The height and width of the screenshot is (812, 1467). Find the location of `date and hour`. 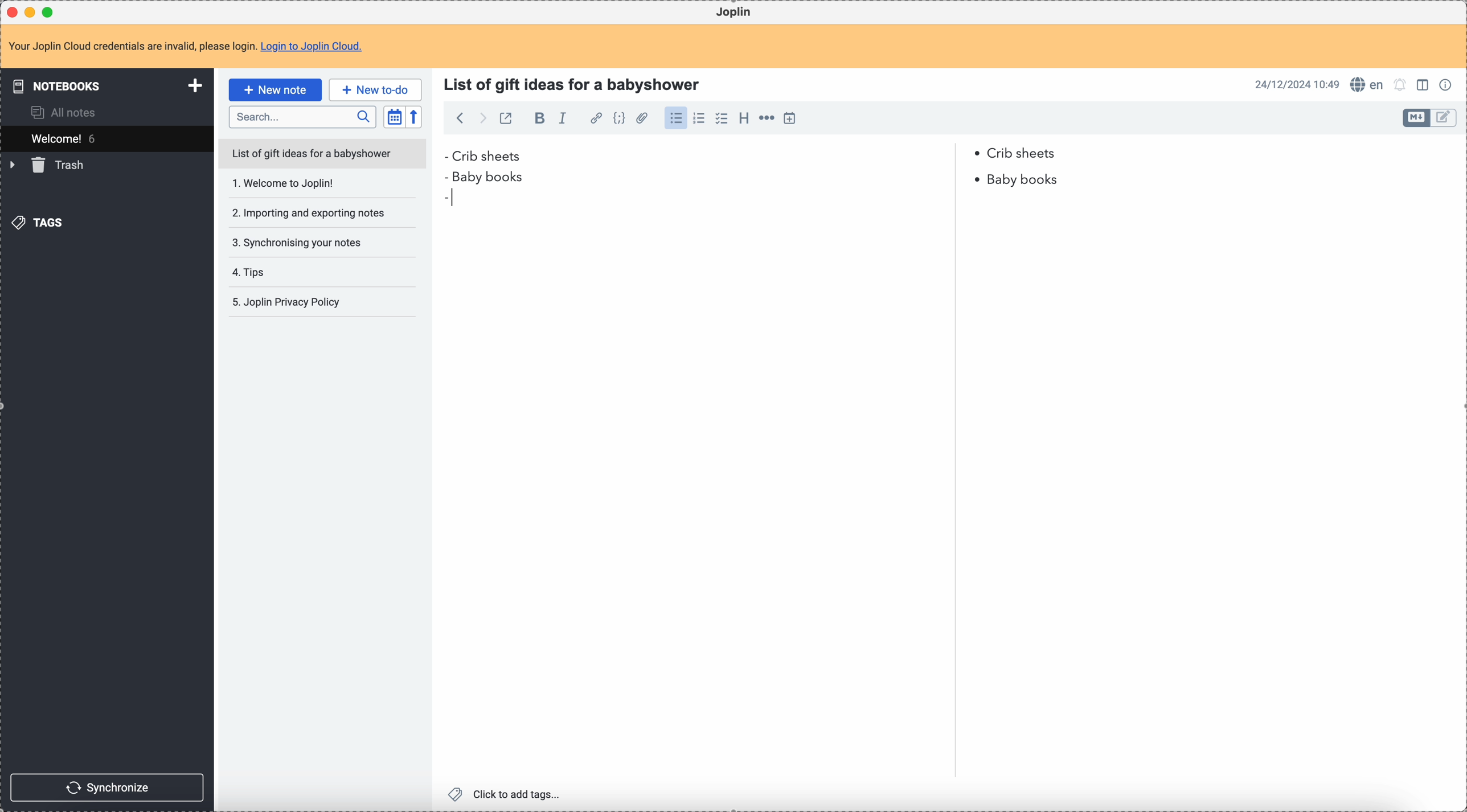

date and hour is located at coordinates (1297, 84).